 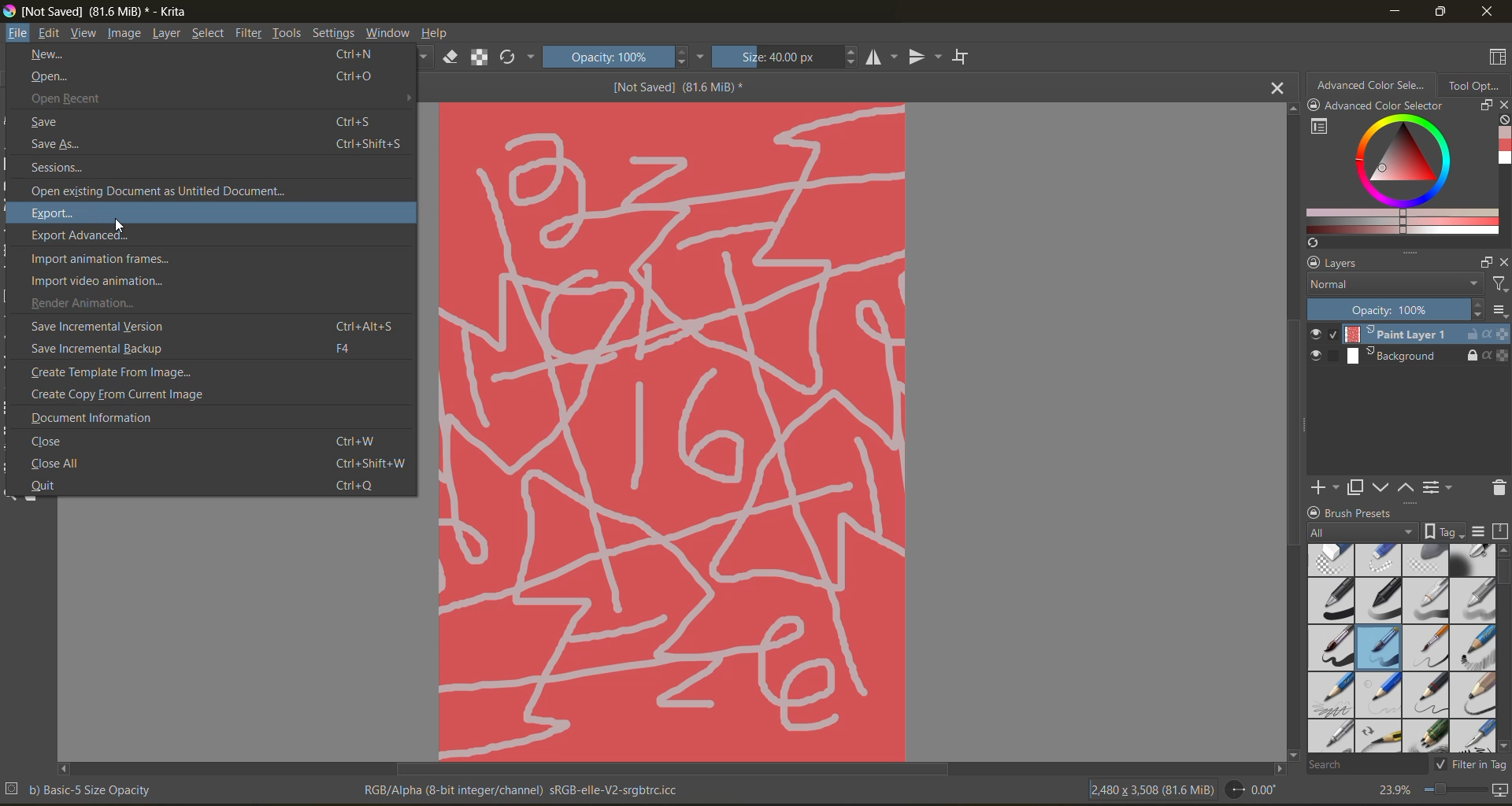 What do you see at coordinates (1384, 107) in the screenshot?
I see `Advanced color selector` at bounding box center [1384, 107].